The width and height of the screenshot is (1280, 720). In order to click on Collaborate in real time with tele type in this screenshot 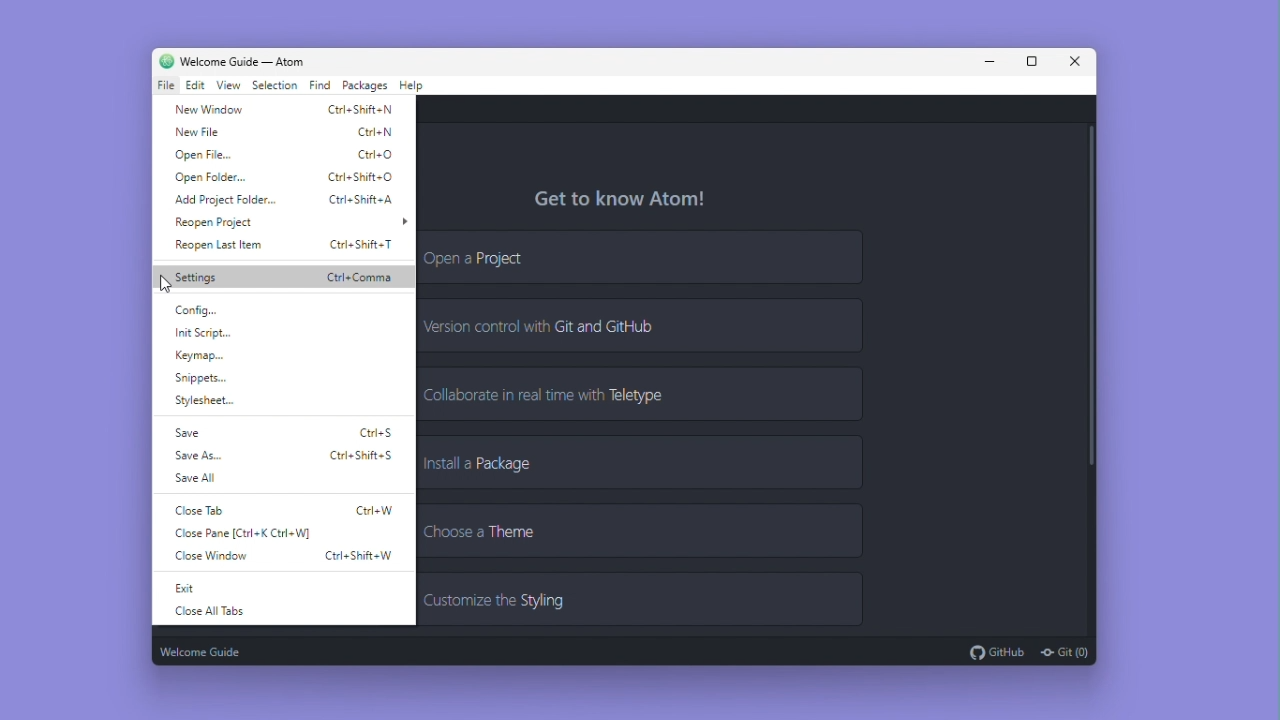, I will do `click(643, 397)`.